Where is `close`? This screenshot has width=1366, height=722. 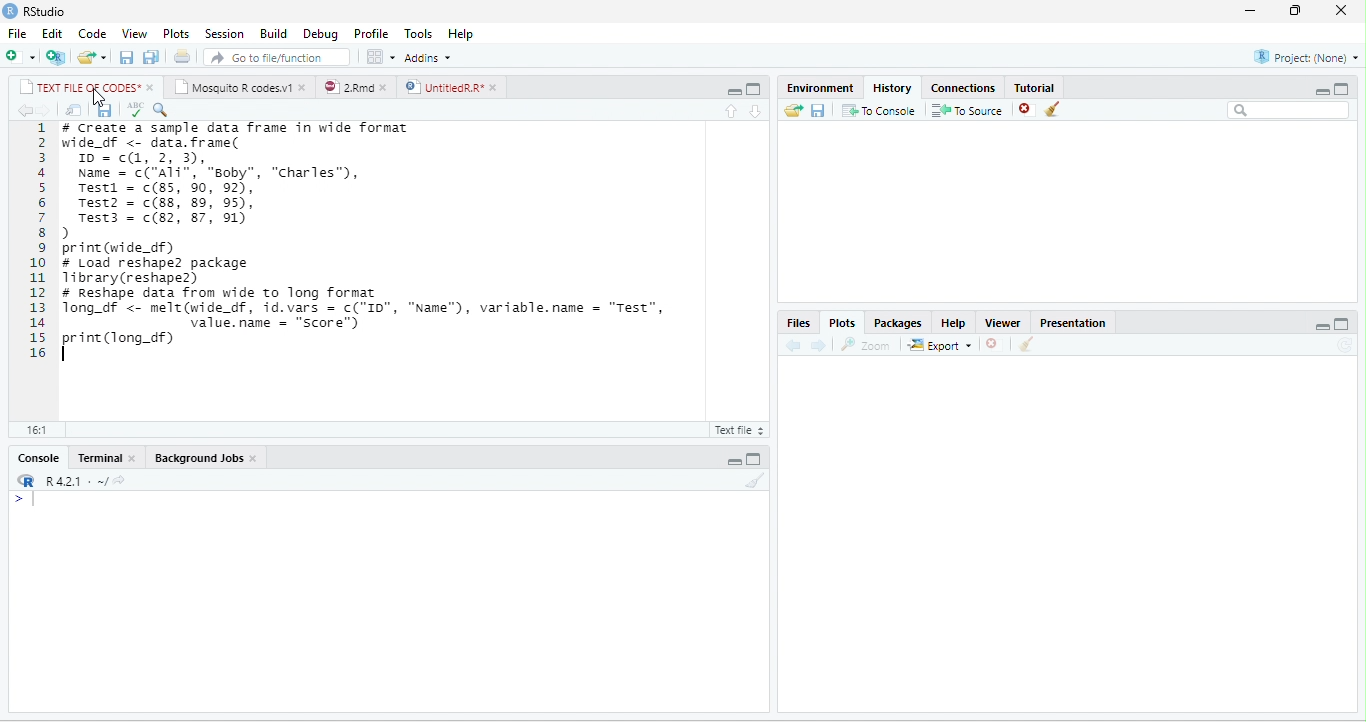 close is located at coordinates (152, 88).